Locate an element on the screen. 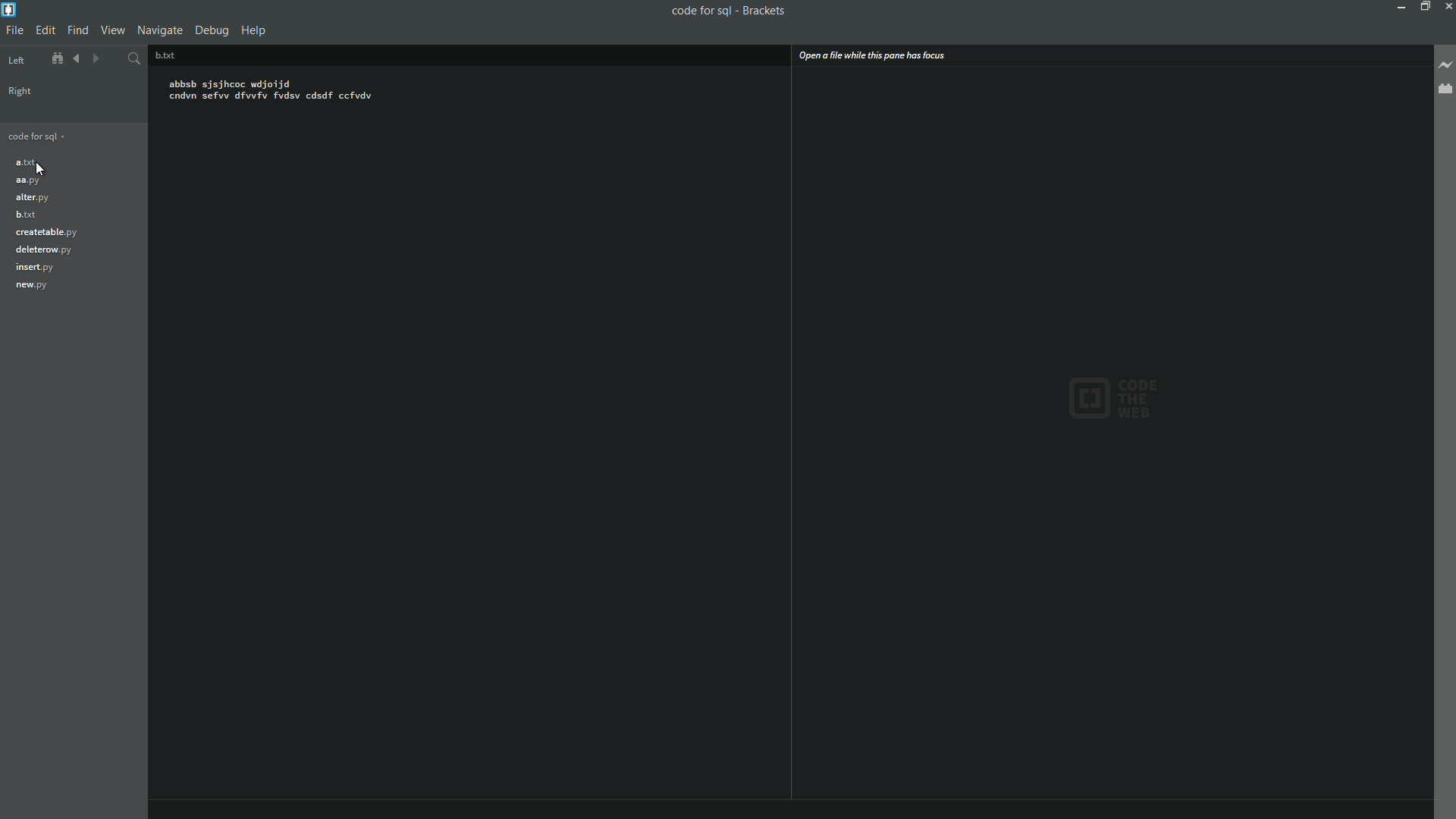  Close app is located at coordinates (1447, 6).